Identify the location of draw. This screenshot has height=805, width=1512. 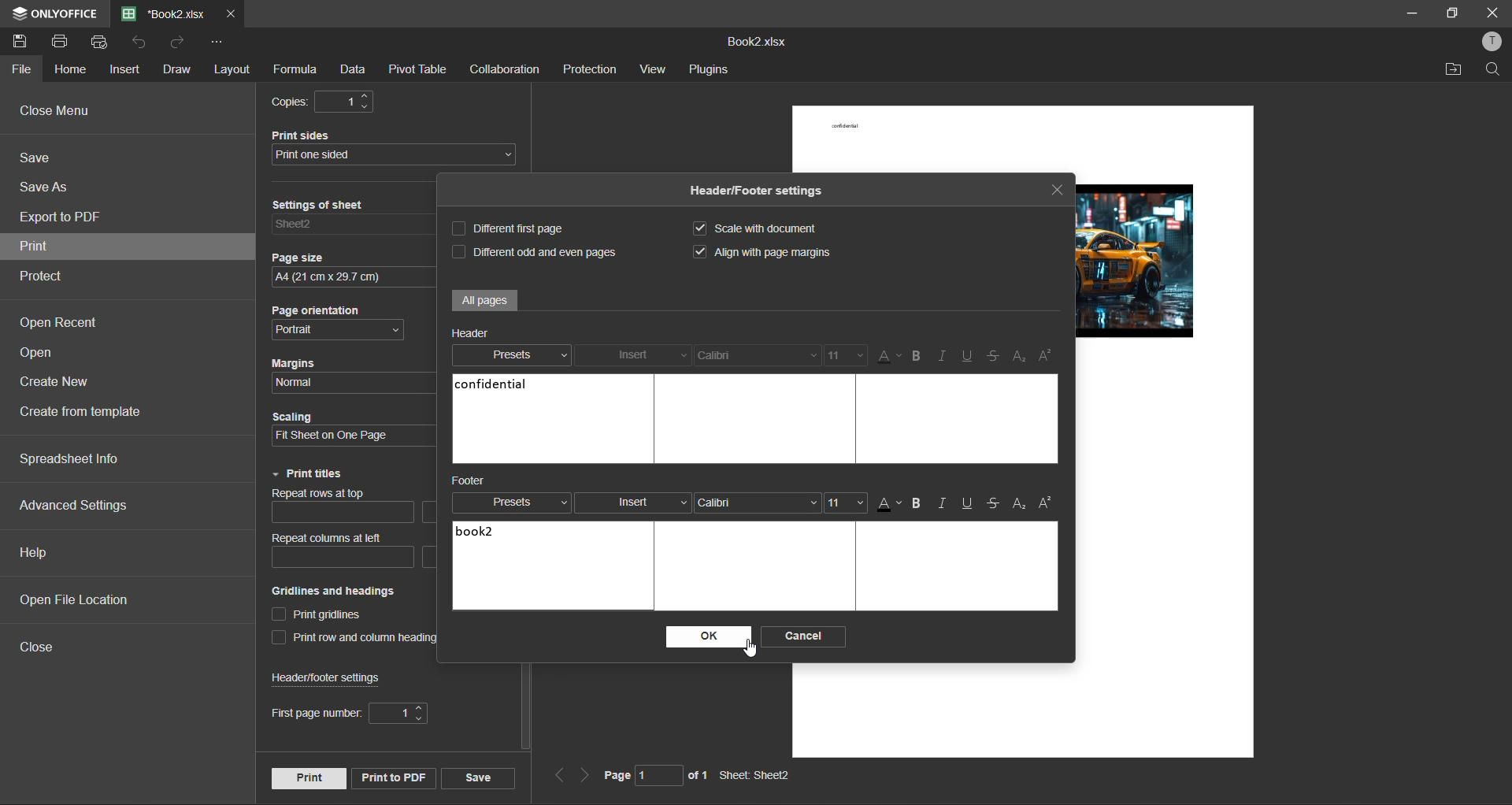
(177, 71).